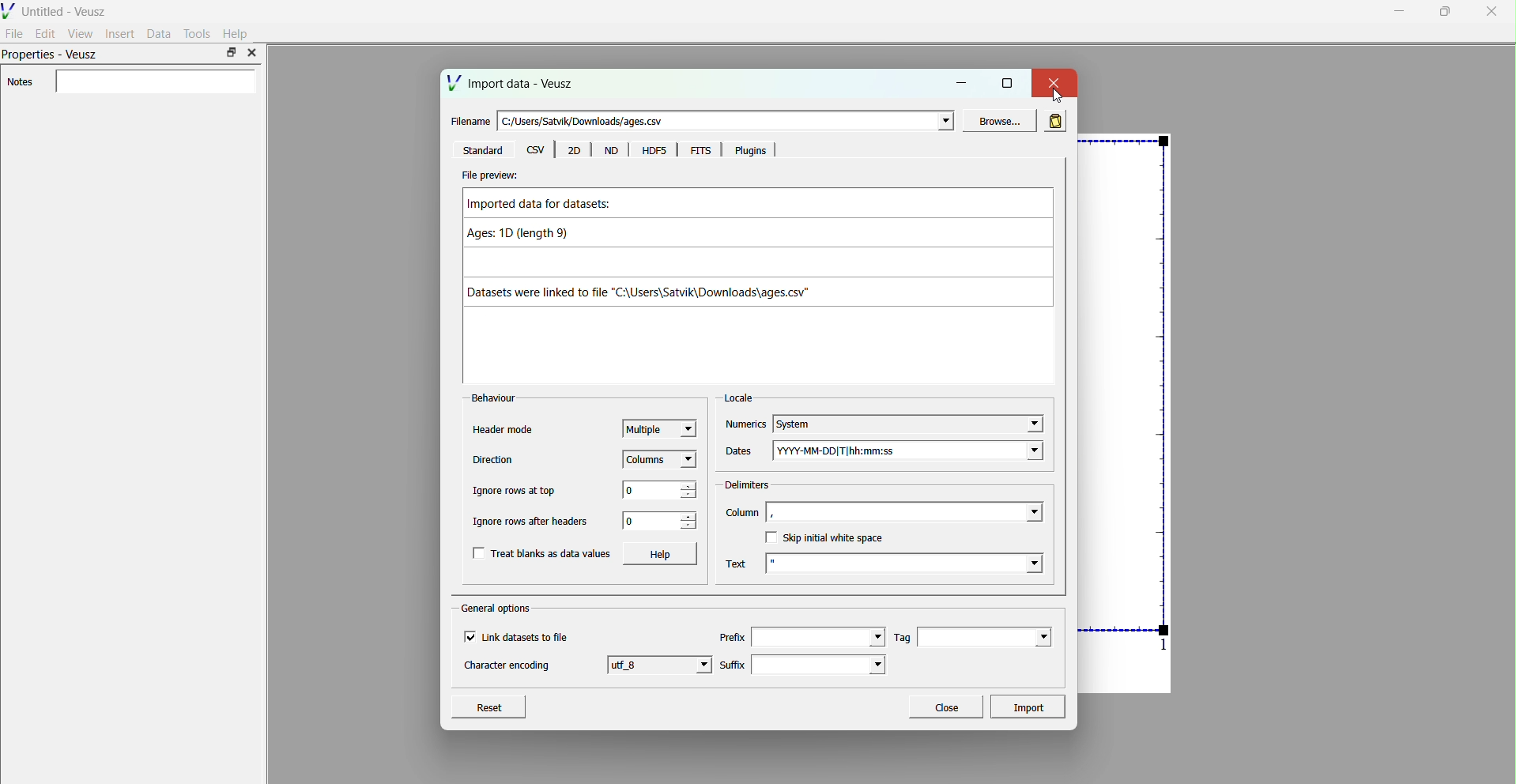  Describe the element at coordinates (745, 425) in the screenshot. I see `Numerics` at that location.